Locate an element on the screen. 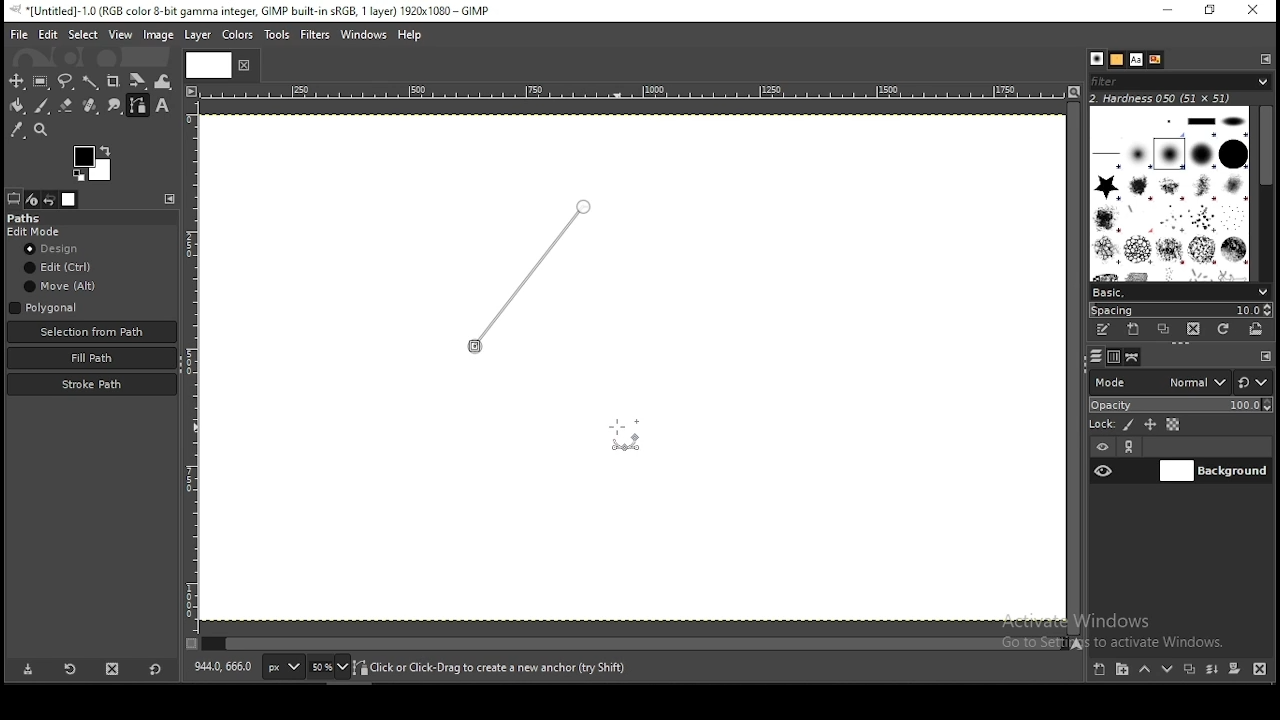 The image size is (1280, 720). units is located at coordinates (282, 666).